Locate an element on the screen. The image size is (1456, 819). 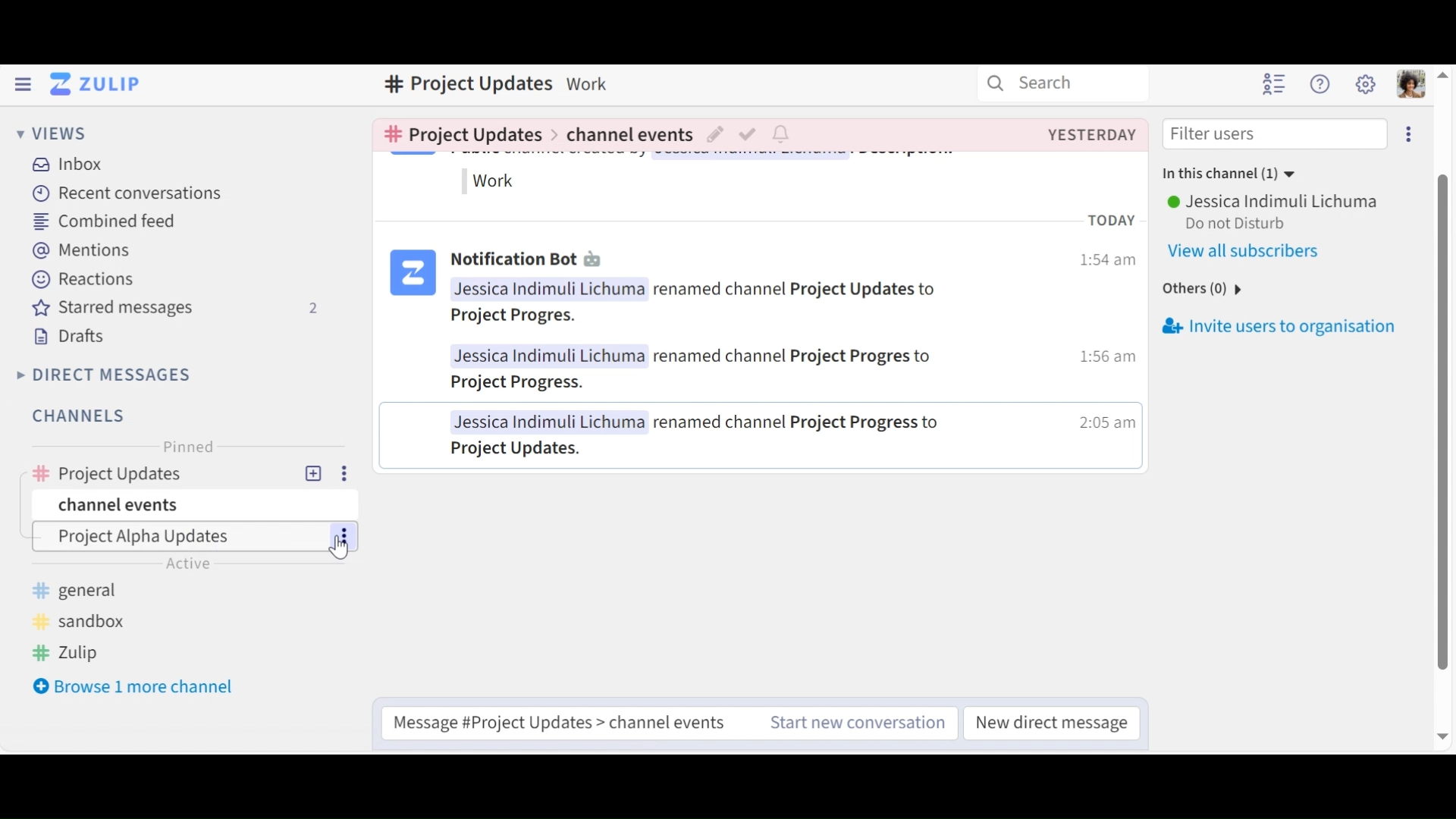
Personal menu is located at coordinates (1413, 83).